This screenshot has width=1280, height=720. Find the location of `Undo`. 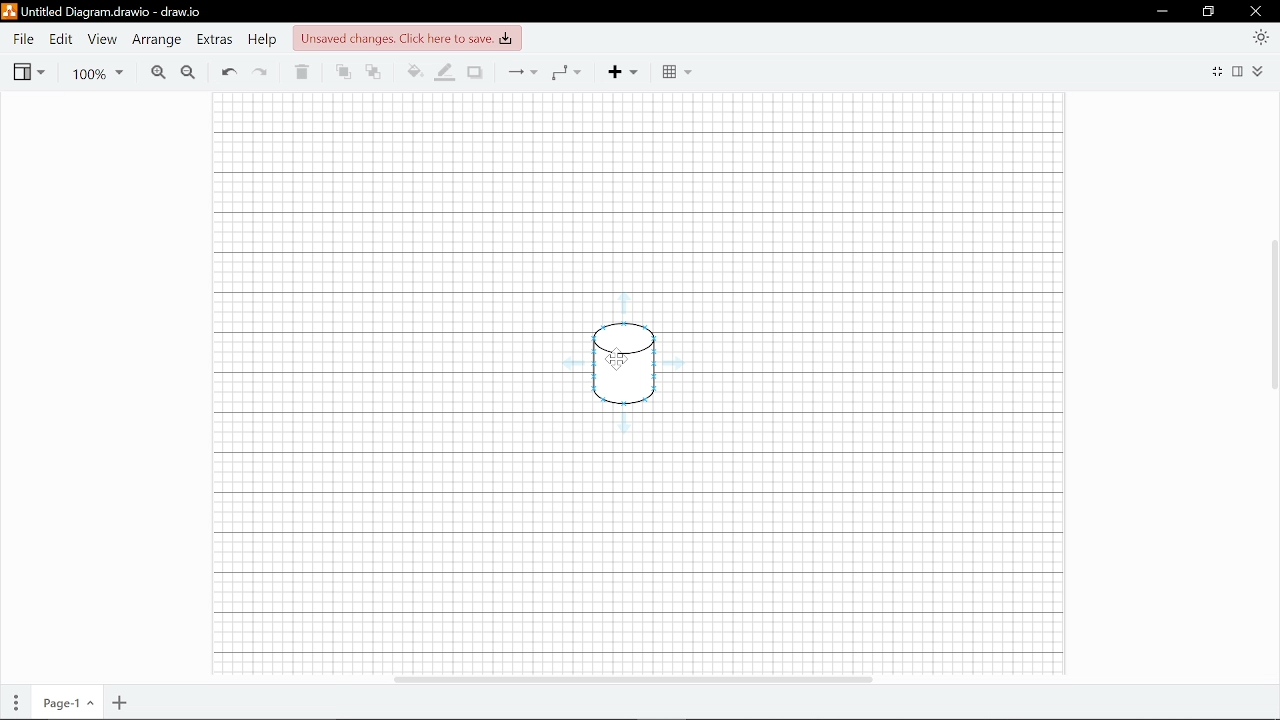

Undo is located at coordinates (229, 72).